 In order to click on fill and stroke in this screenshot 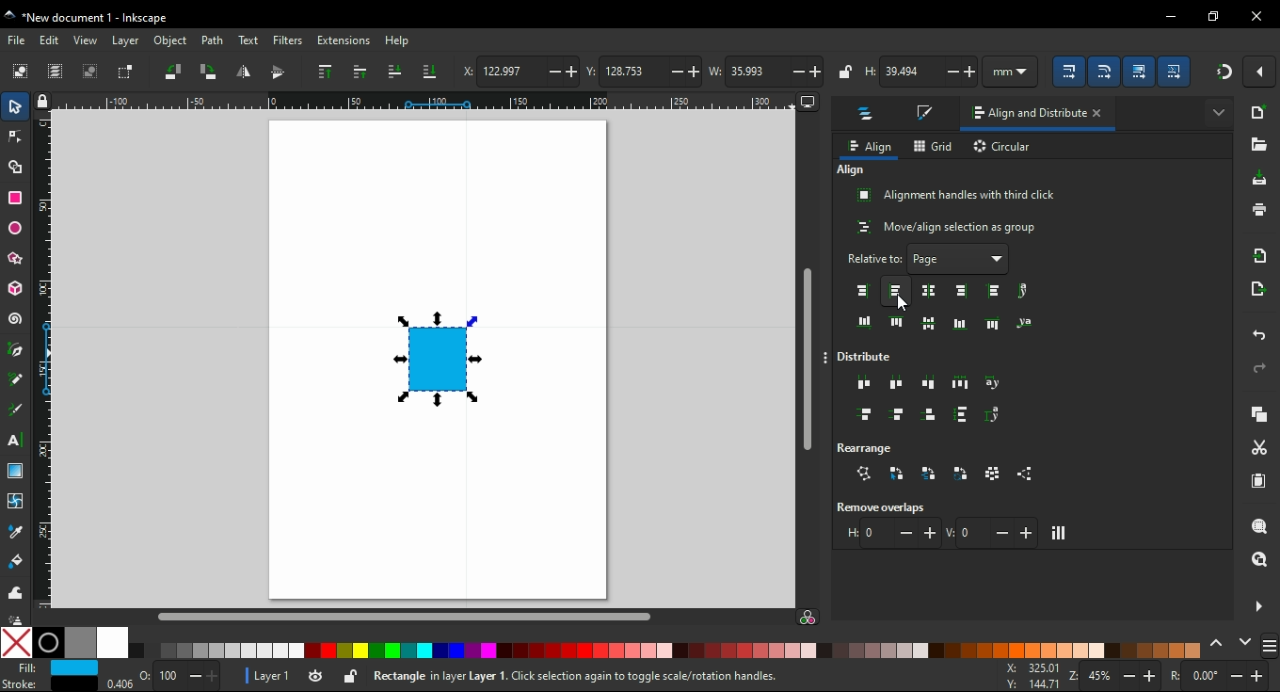, I will do `click(923, 114)`.